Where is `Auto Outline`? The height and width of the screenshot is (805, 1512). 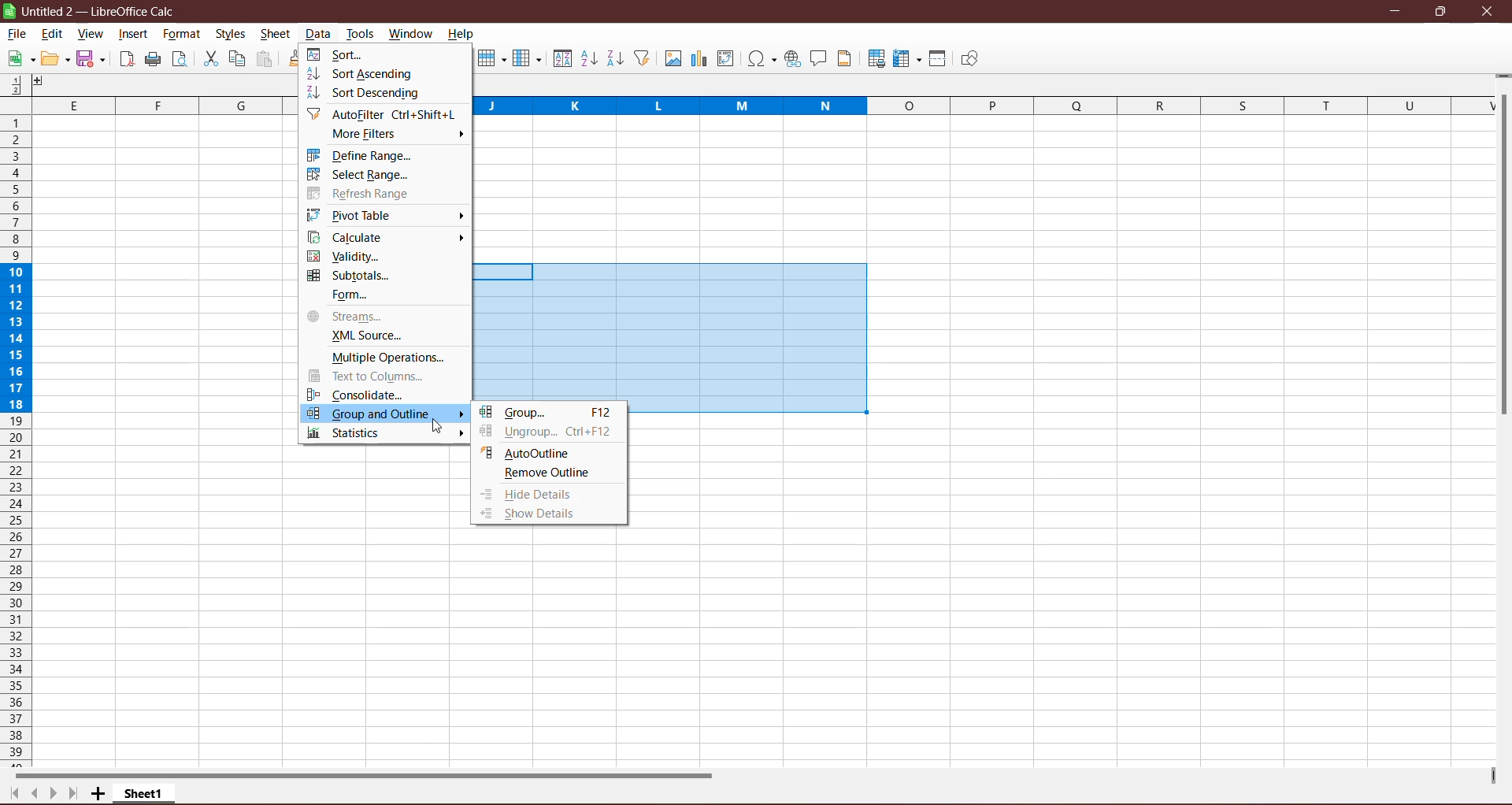
Auto Outline is located at coordinates (527, 452).